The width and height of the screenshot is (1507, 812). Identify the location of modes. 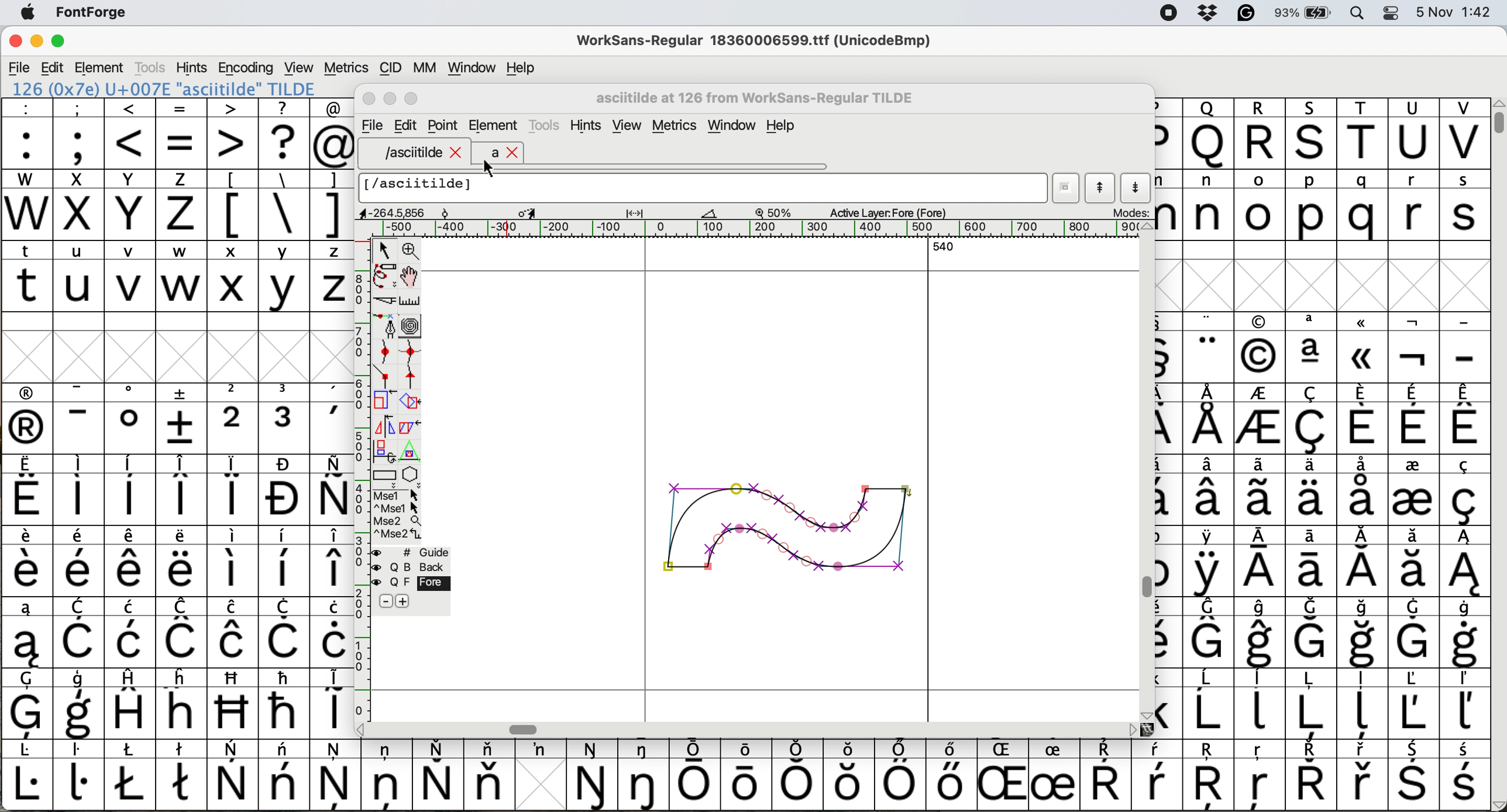
(1130, 212).